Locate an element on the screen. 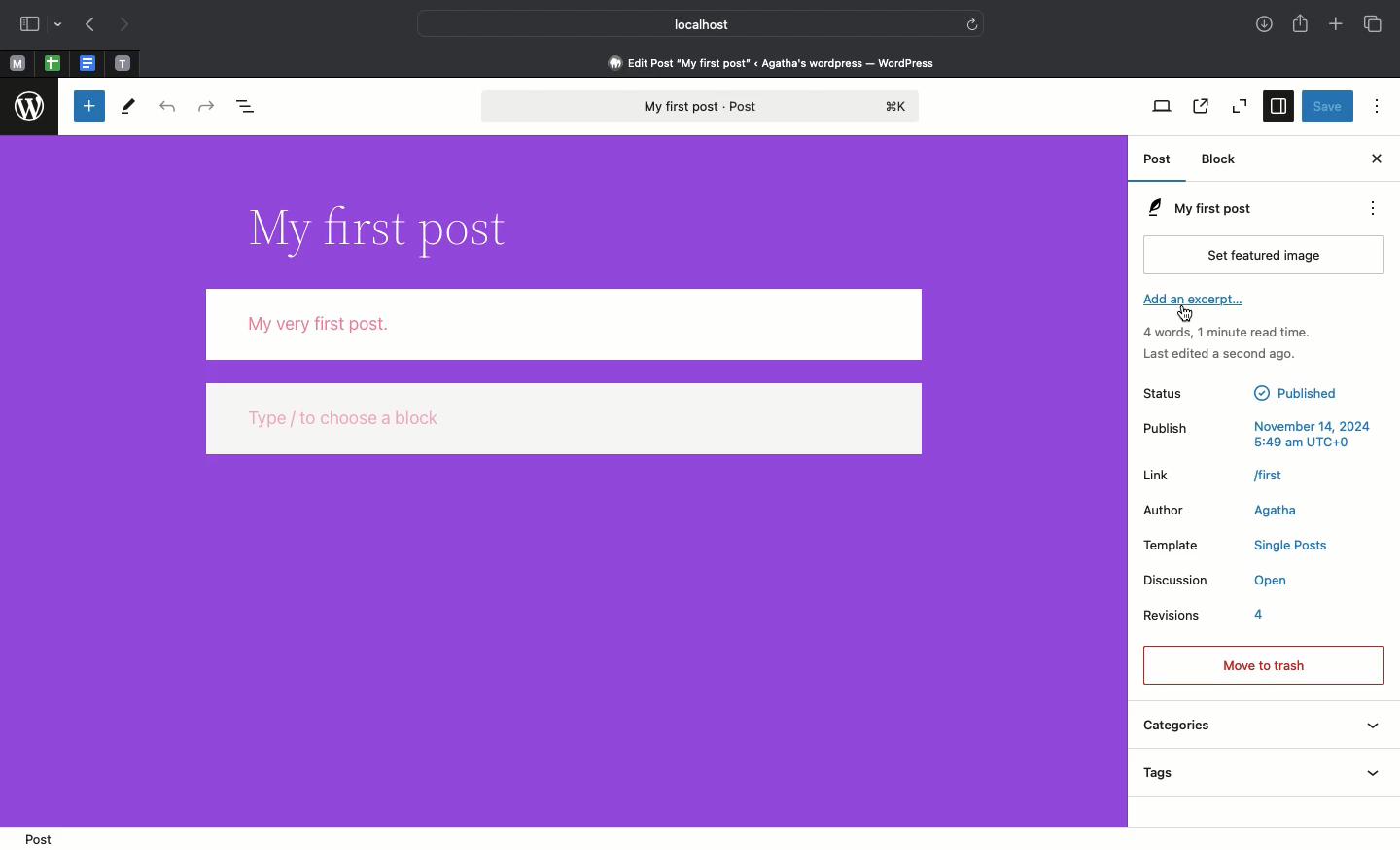  Actions is located at coordinates (1381, 209).